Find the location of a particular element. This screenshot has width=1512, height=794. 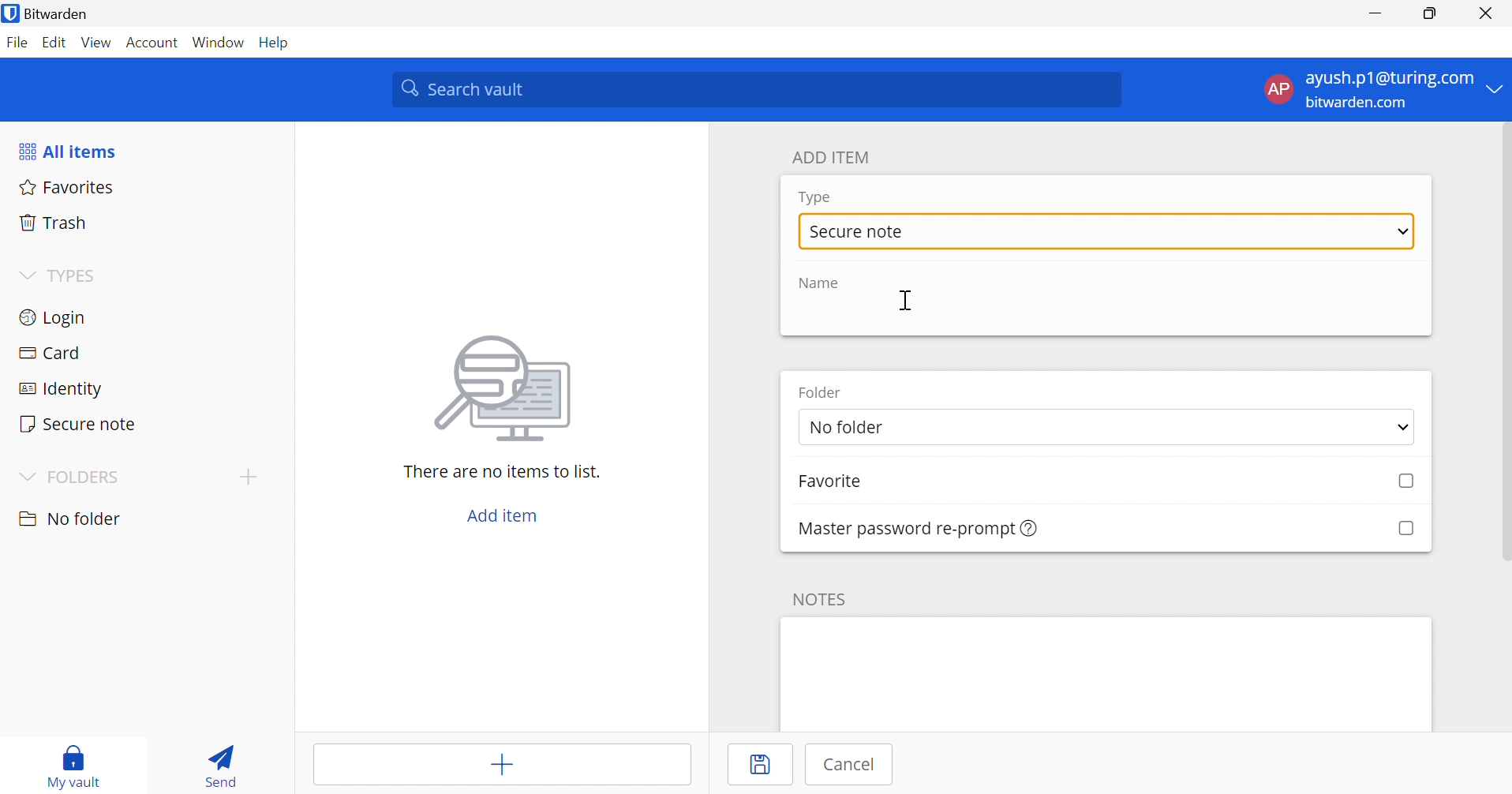

Identity is located at coordinates (59, 389).